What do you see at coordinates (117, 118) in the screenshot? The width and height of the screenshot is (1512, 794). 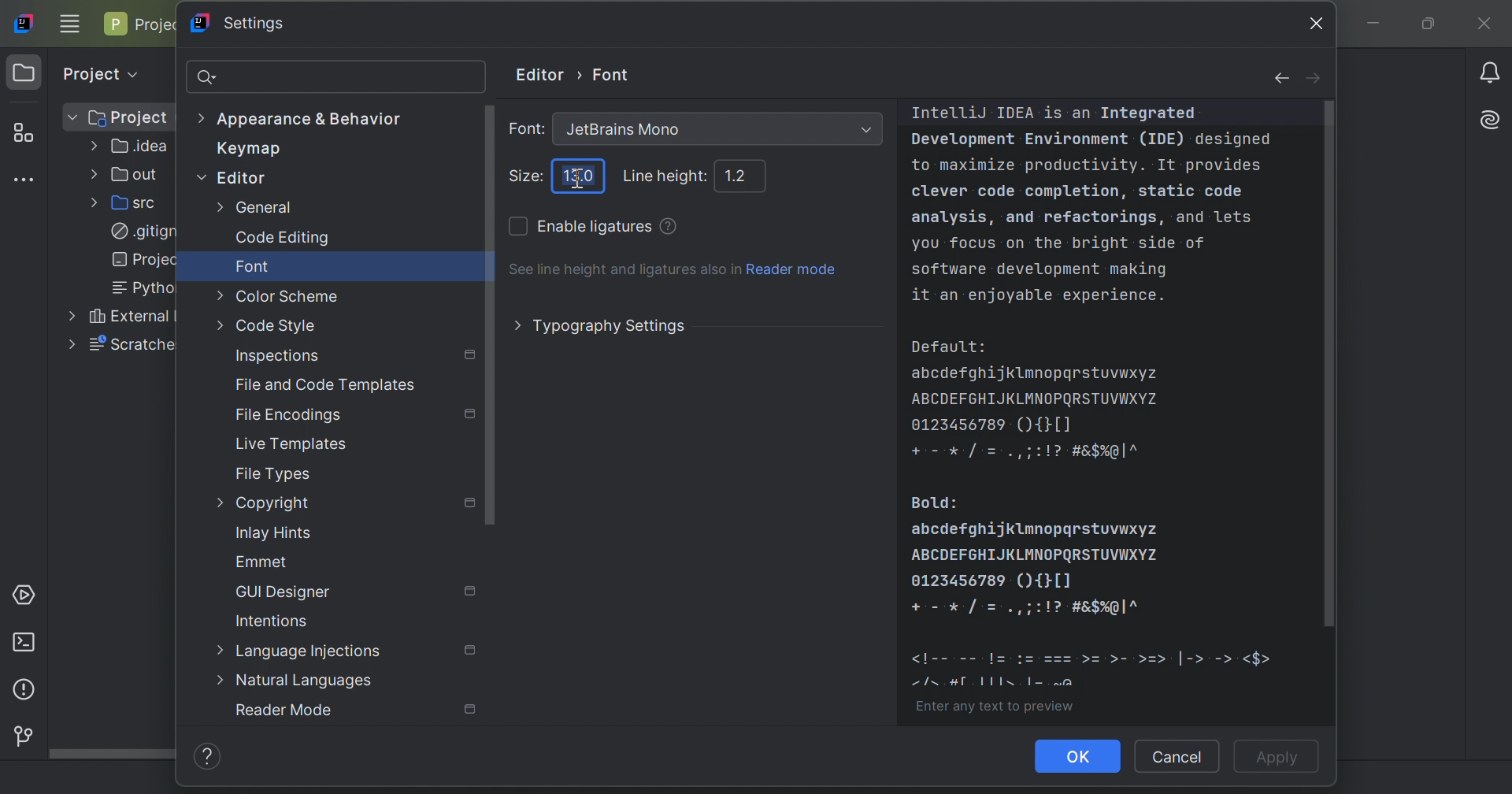 I see `Project` at bounding box center [117, 118].